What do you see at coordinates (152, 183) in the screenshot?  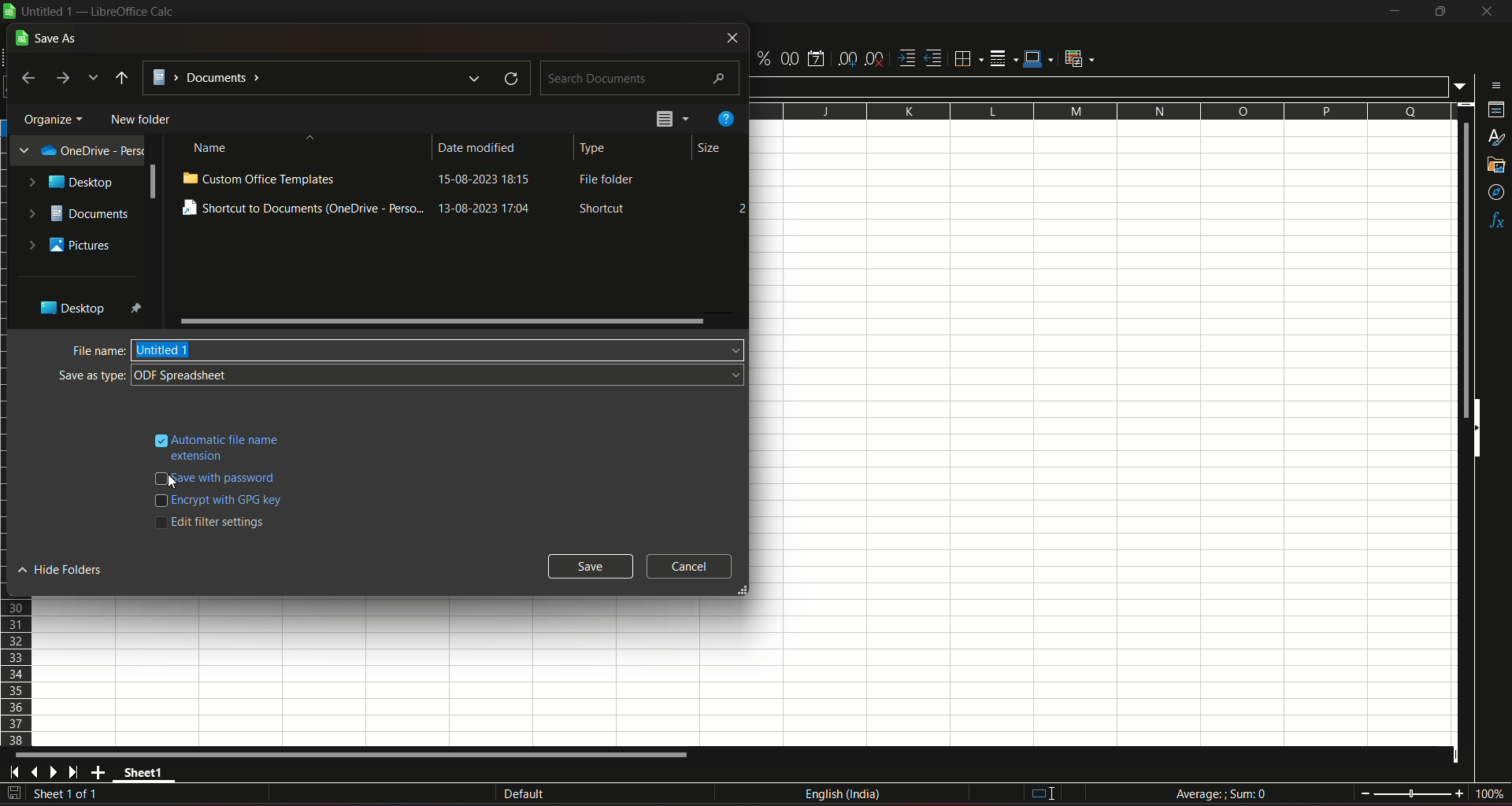 I see `scrollbar` at bounding box center [152, 183].